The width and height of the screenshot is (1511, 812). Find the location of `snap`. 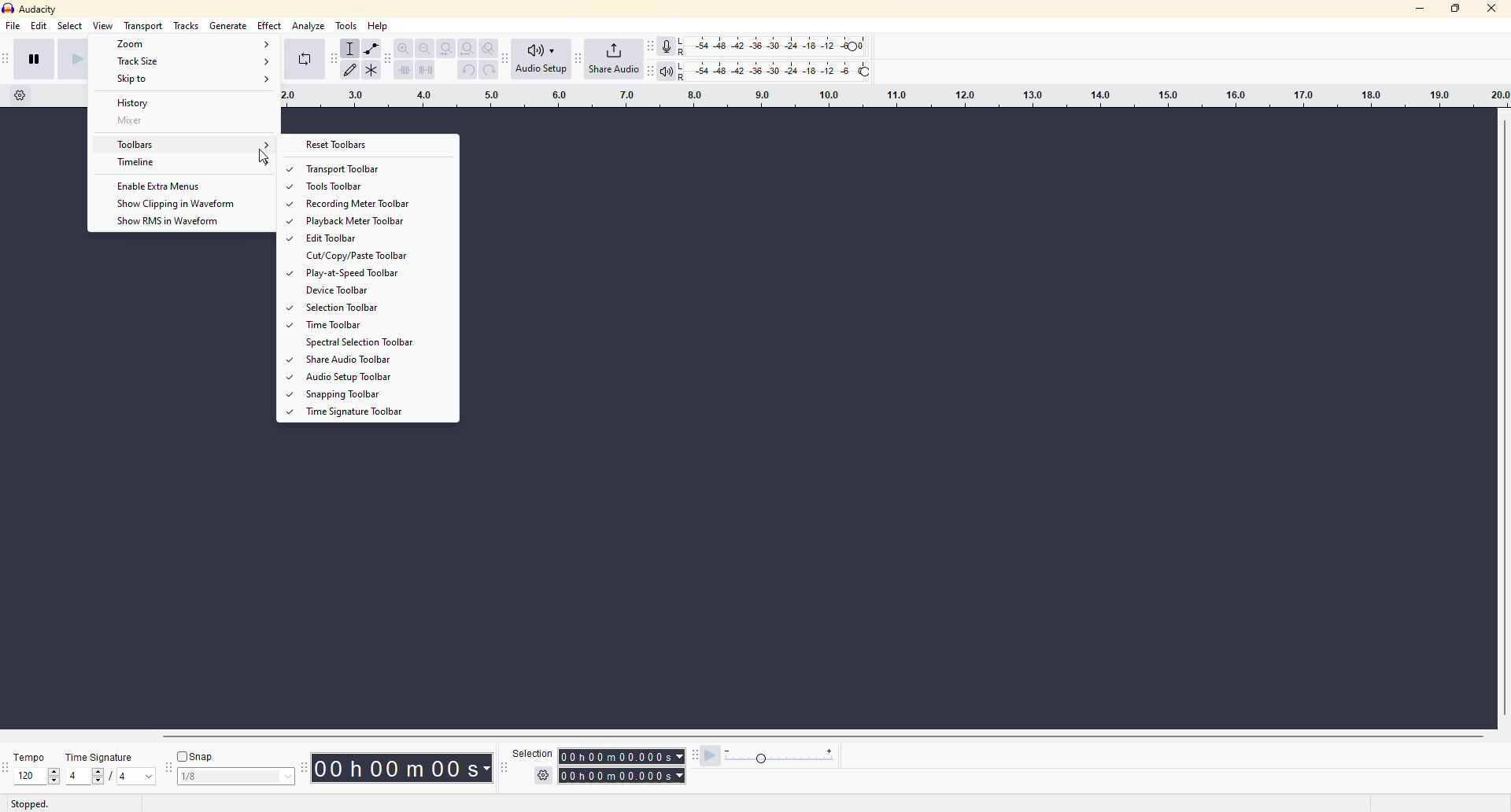

snap is located at coordinates (194, 755).